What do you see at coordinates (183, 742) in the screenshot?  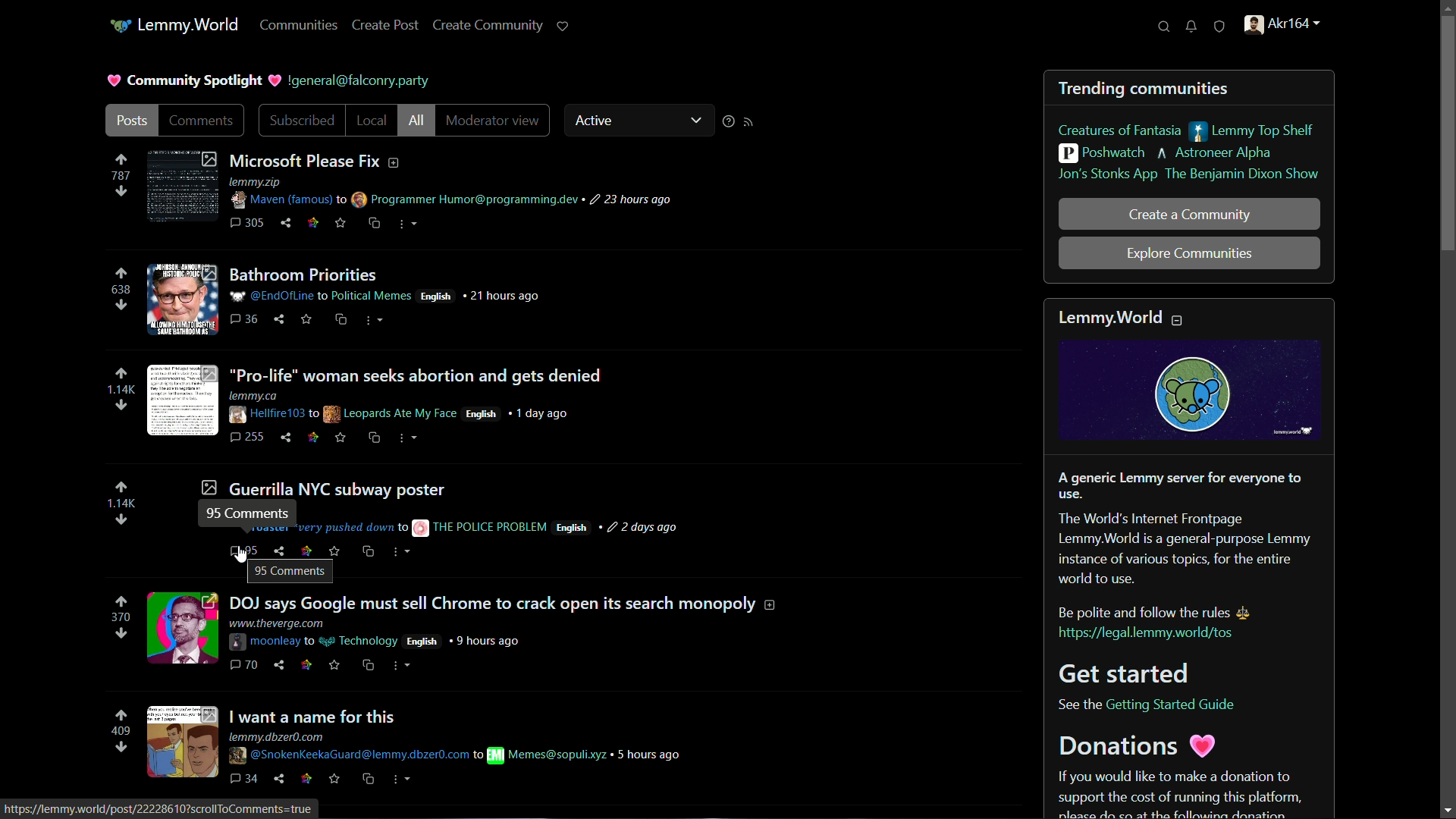 I see `post image` at bounding box center [183, 742].